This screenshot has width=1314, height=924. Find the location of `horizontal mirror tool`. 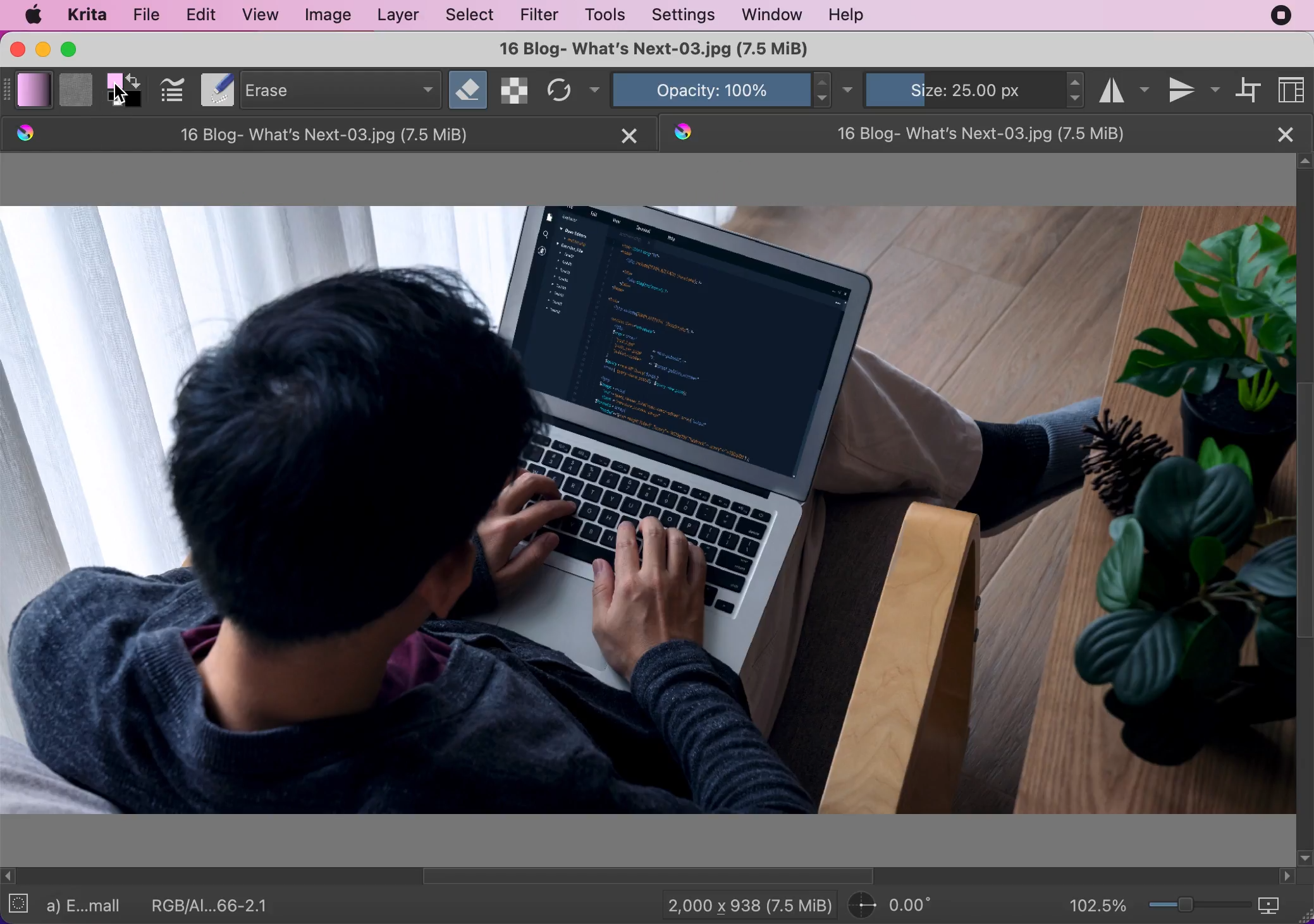

horizontal mirror tool is located at coordinates (1124, 88).